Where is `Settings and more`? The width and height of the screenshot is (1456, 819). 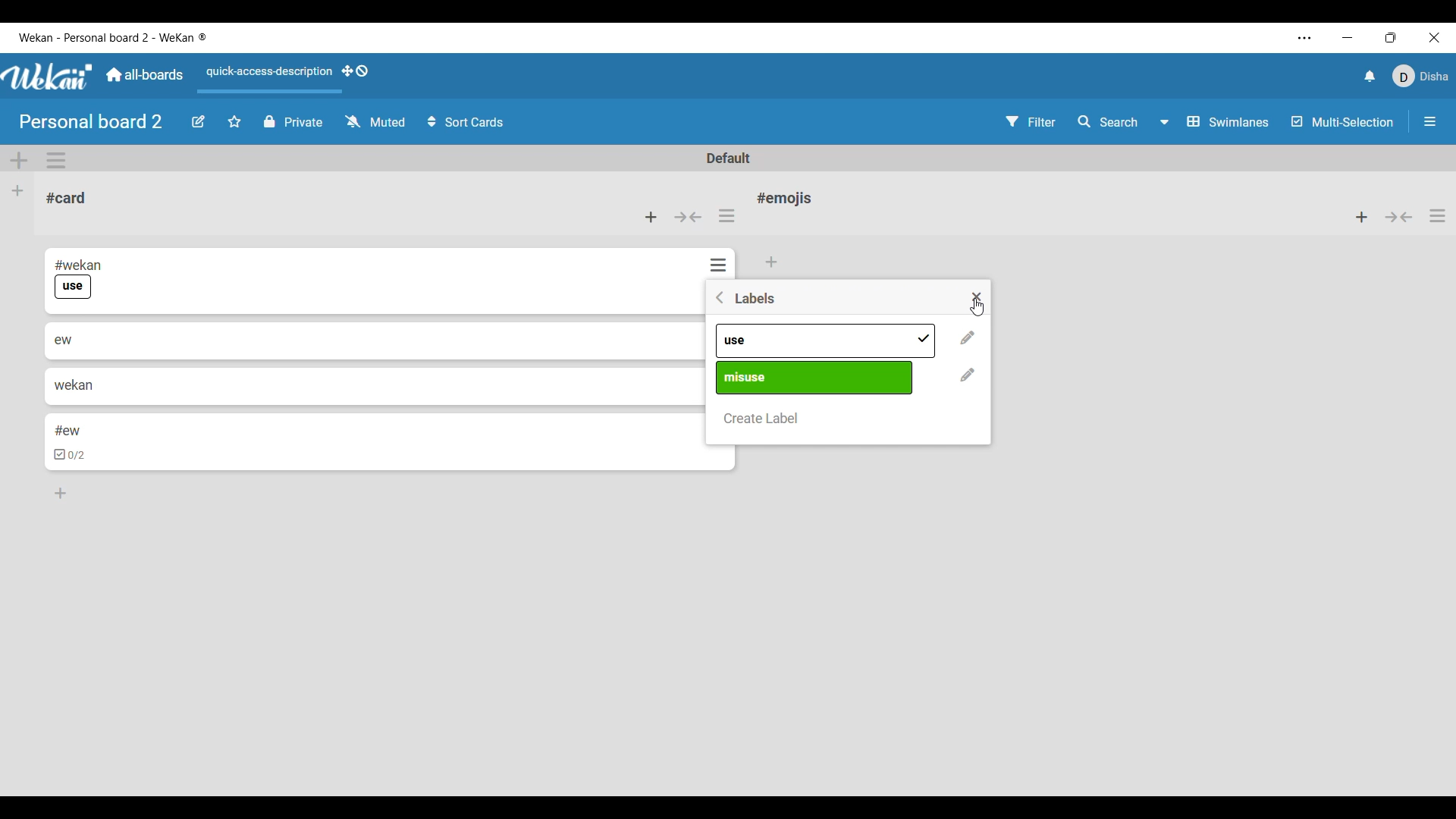 Settings and more is located at coordinates (1305, 38).